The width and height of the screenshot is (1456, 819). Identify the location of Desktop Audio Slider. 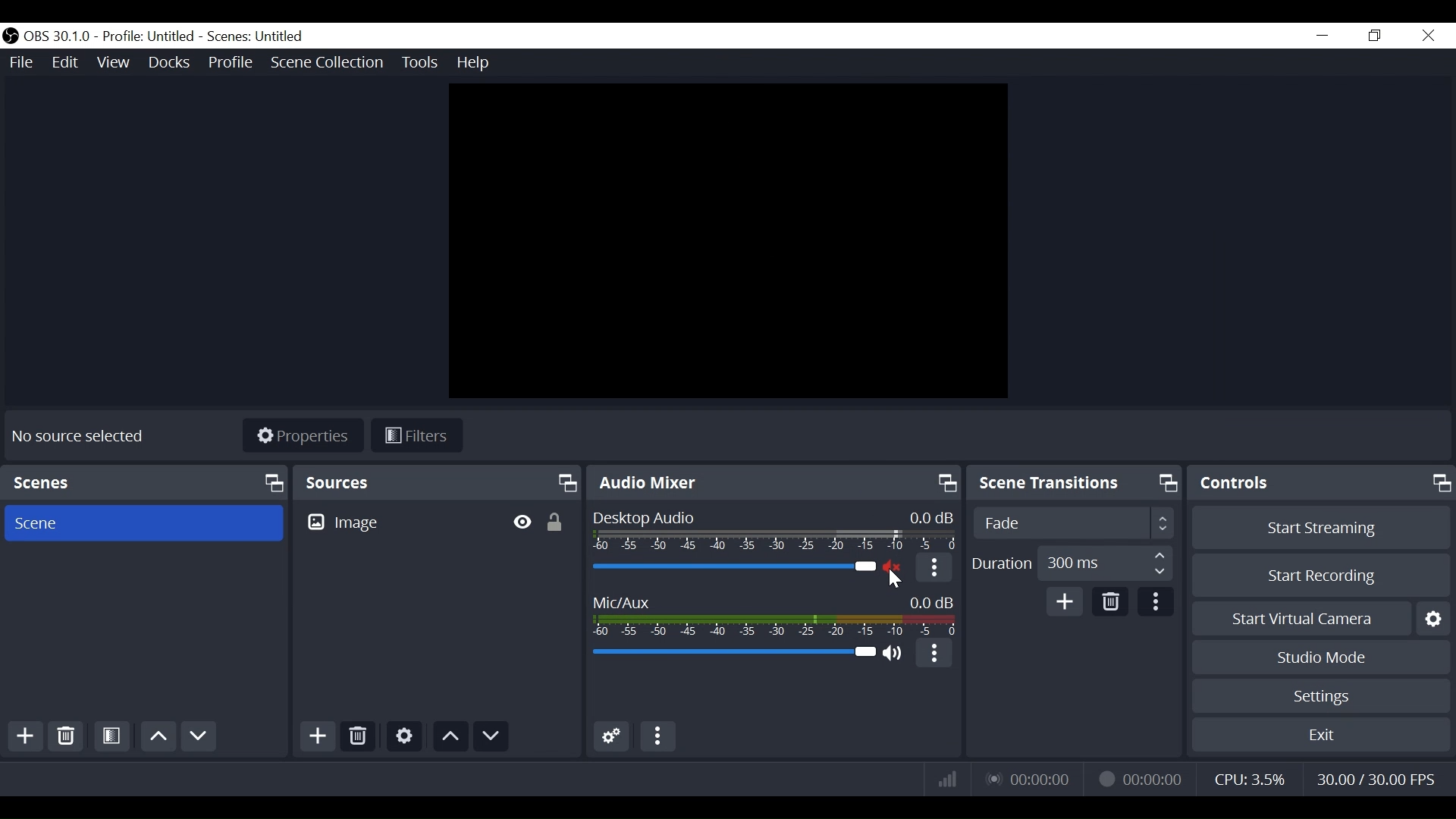
(732, 567).